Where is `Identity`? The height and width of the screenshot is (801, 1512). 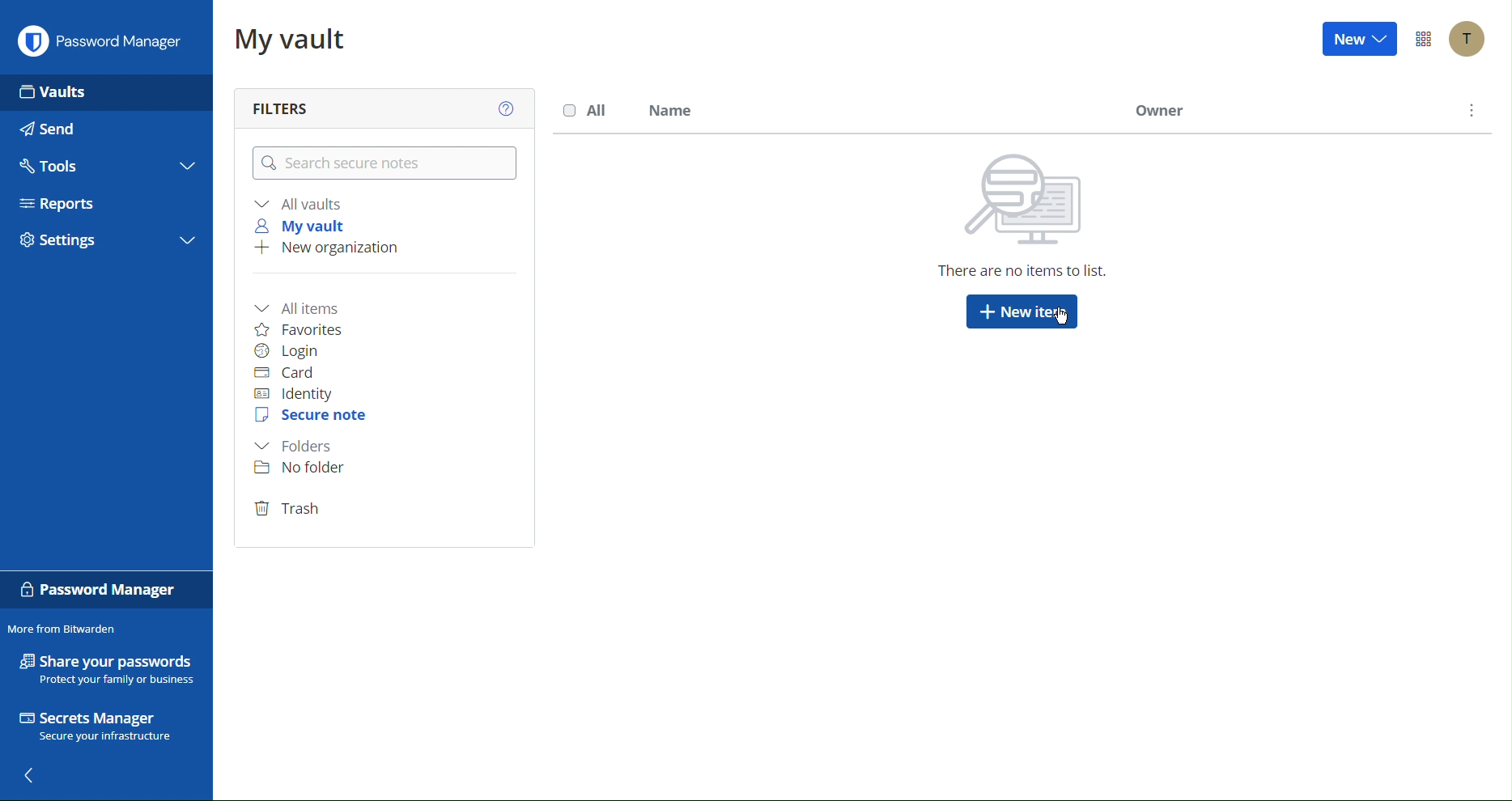 Identity is located at coordinates (308, 392).